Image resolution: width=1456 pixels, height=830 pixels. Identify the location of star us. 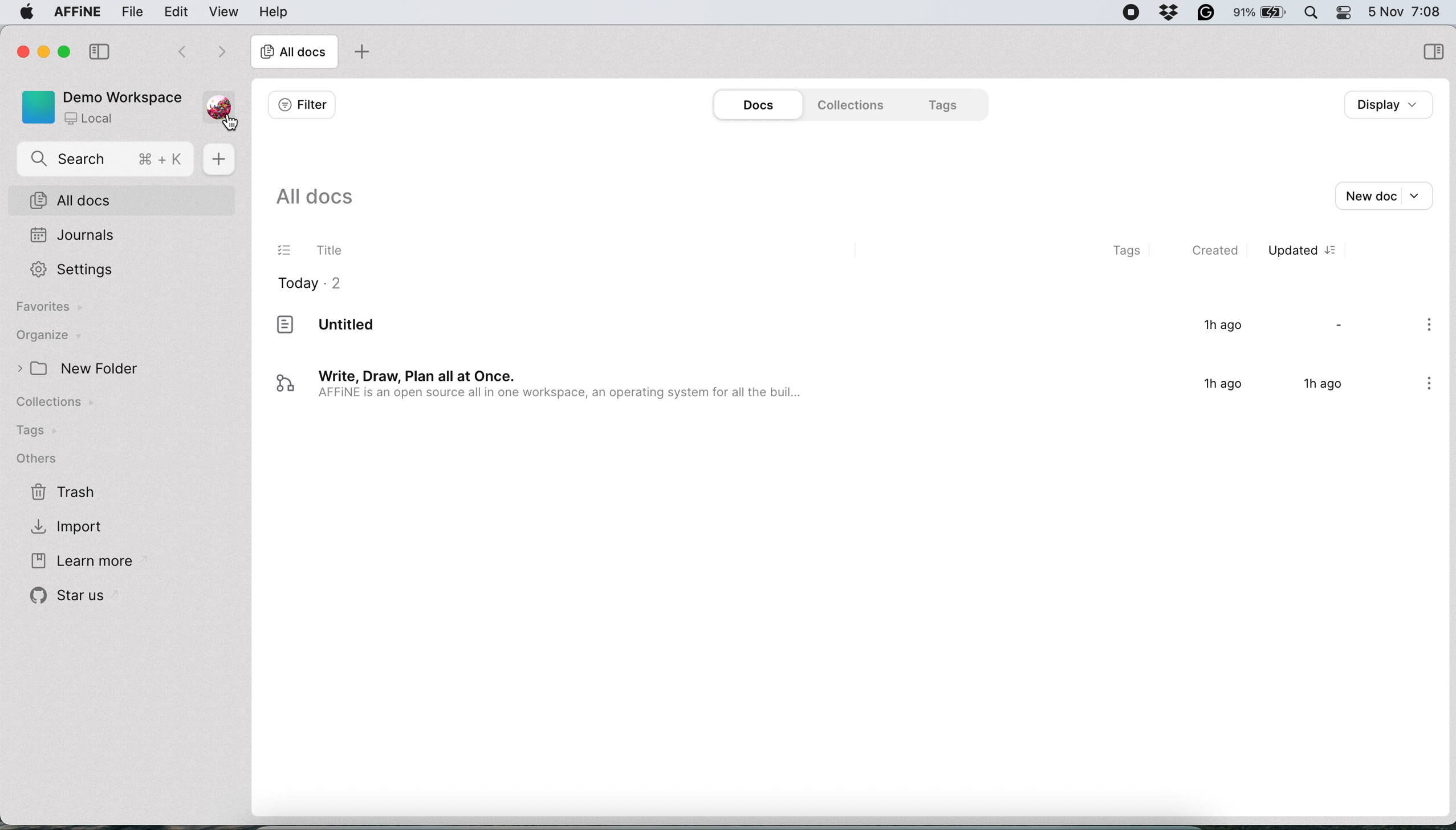
(66, 599).